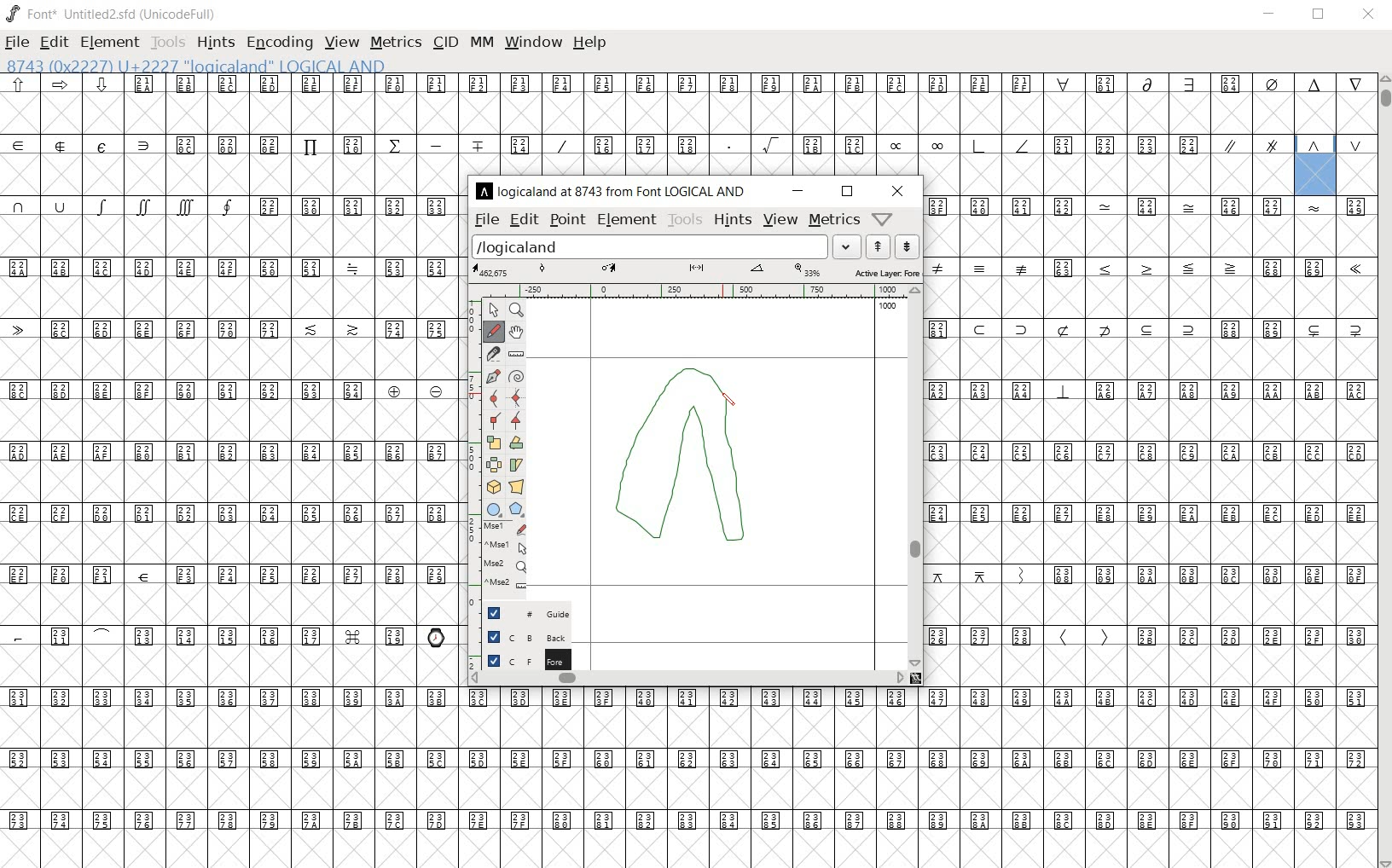 The width and height of the screenshot is (1392, 868). Describe the element at coordinates (589, 43) in the screenshot. I see `help` at that location.